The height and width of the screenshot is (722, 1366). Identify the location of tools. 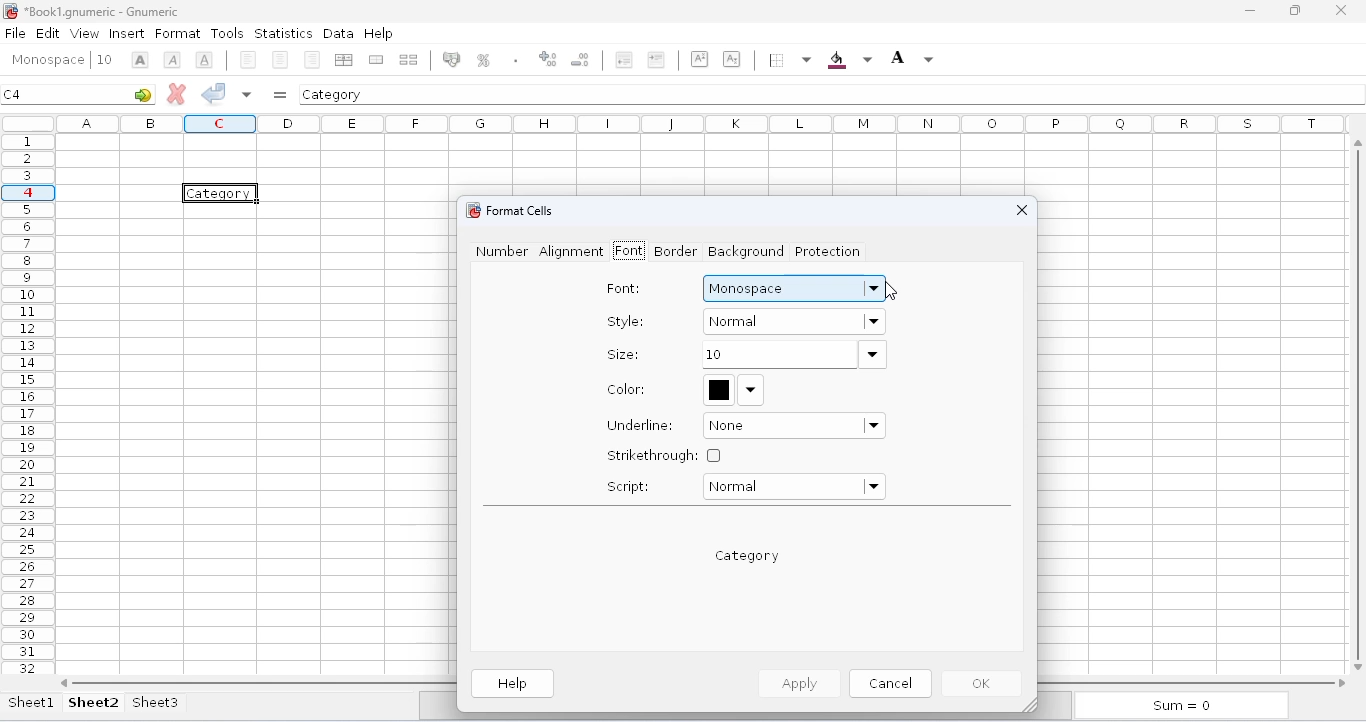
(227, 33).